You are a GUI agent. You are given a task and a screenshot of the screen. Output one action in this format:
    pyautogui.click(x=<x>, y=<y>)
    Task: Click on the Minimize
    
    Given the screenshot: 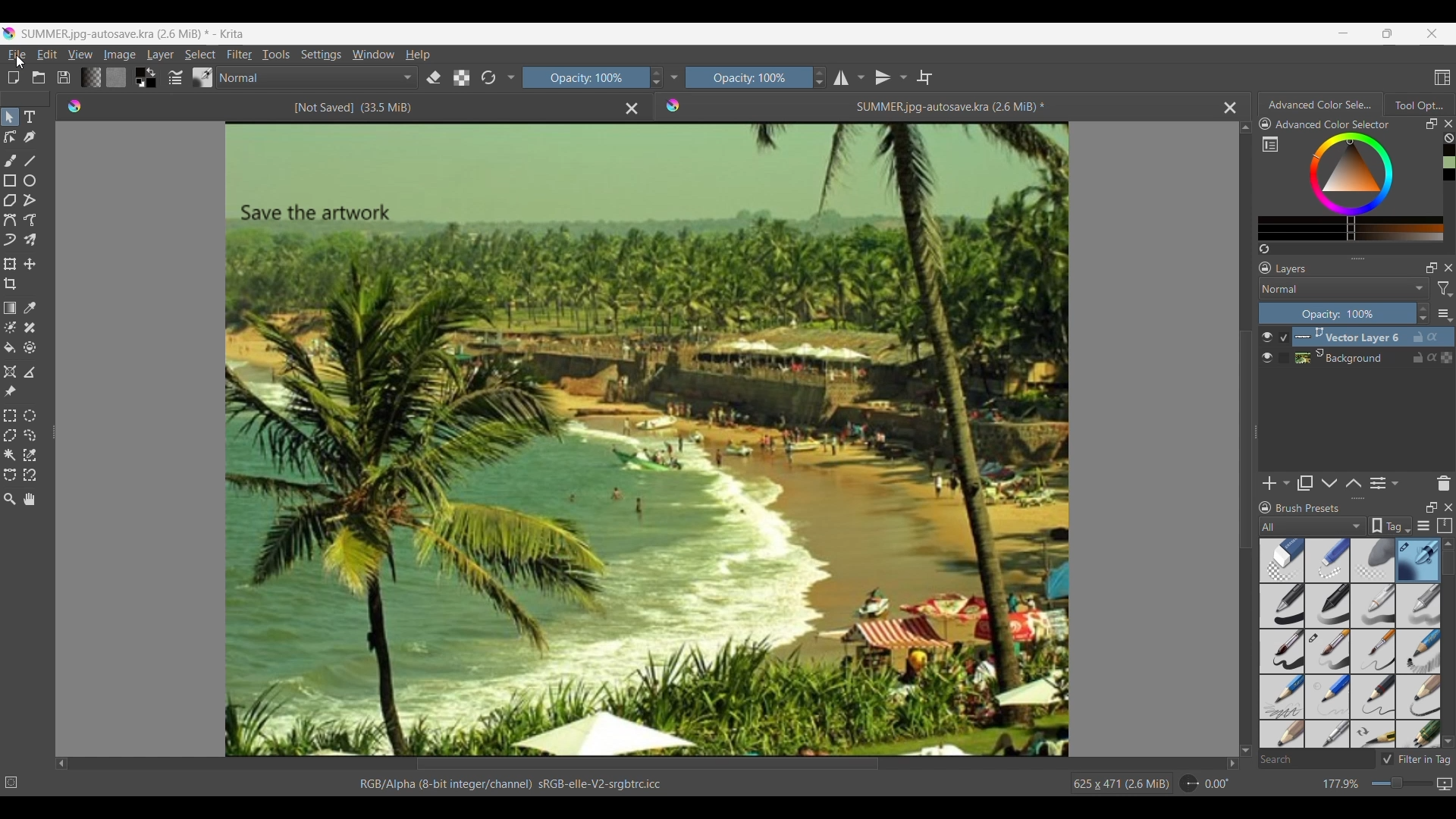 What is the action you would take?
    pyautogui.click(x=1344, y=33)
    